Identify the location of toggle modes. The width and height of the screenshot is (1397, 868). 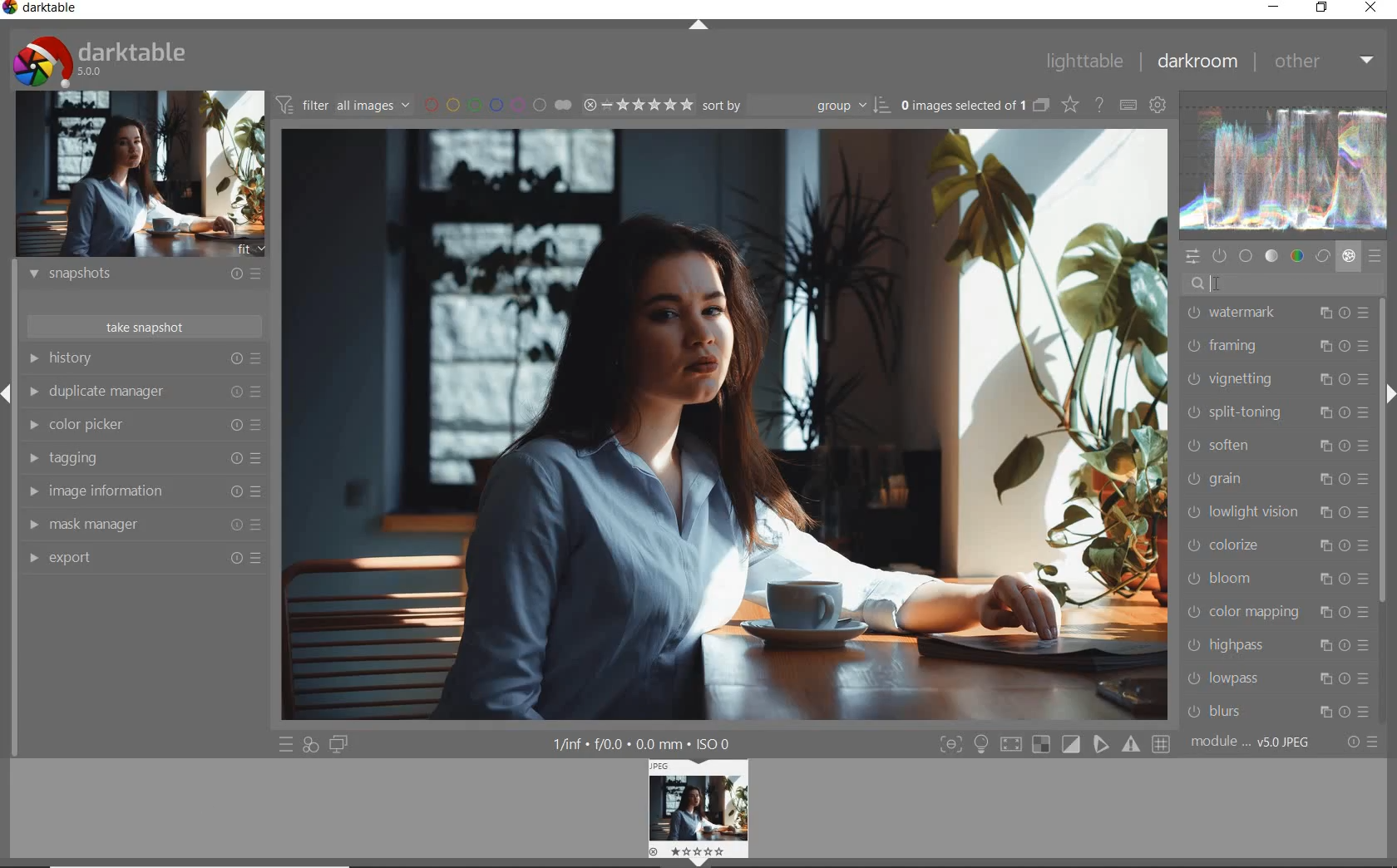
(1055, 744).